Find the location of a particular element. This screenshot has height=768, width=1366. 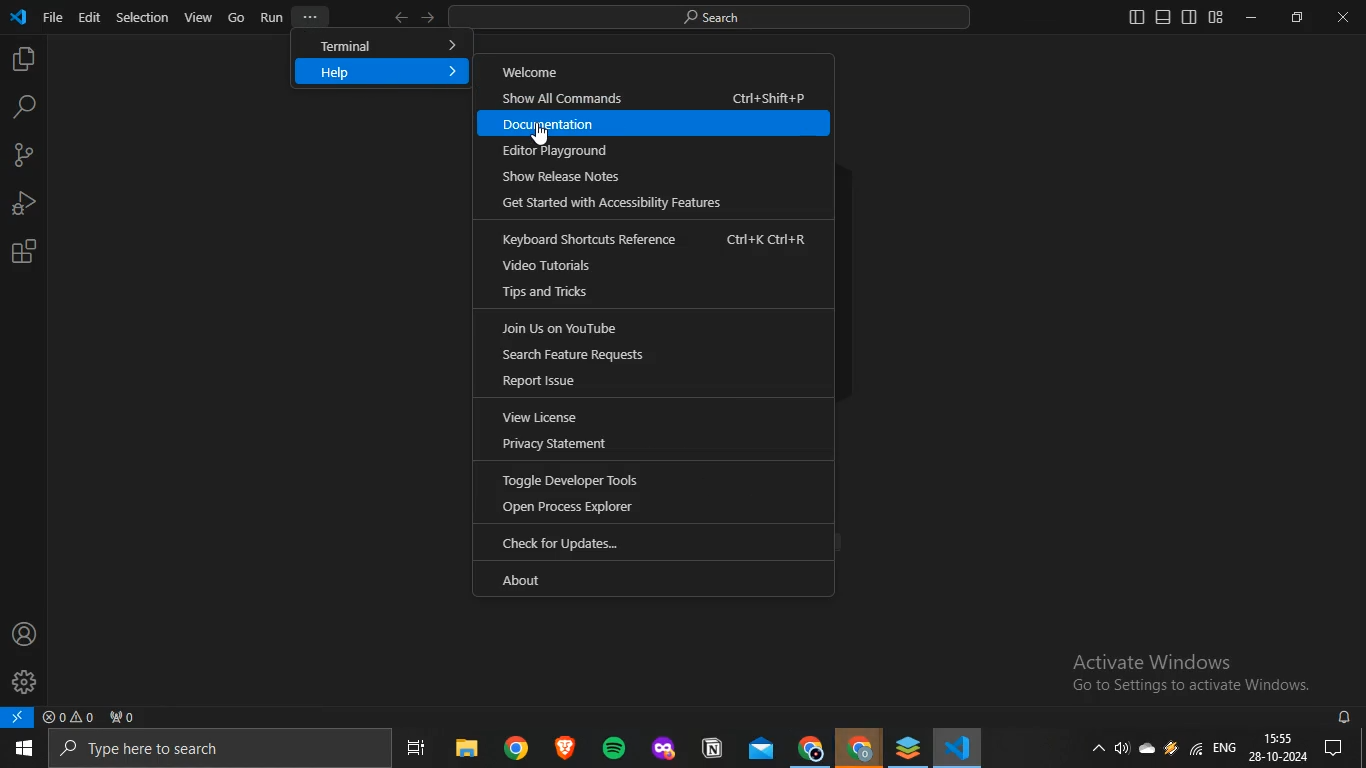

... is located at coordinates (309, 15).